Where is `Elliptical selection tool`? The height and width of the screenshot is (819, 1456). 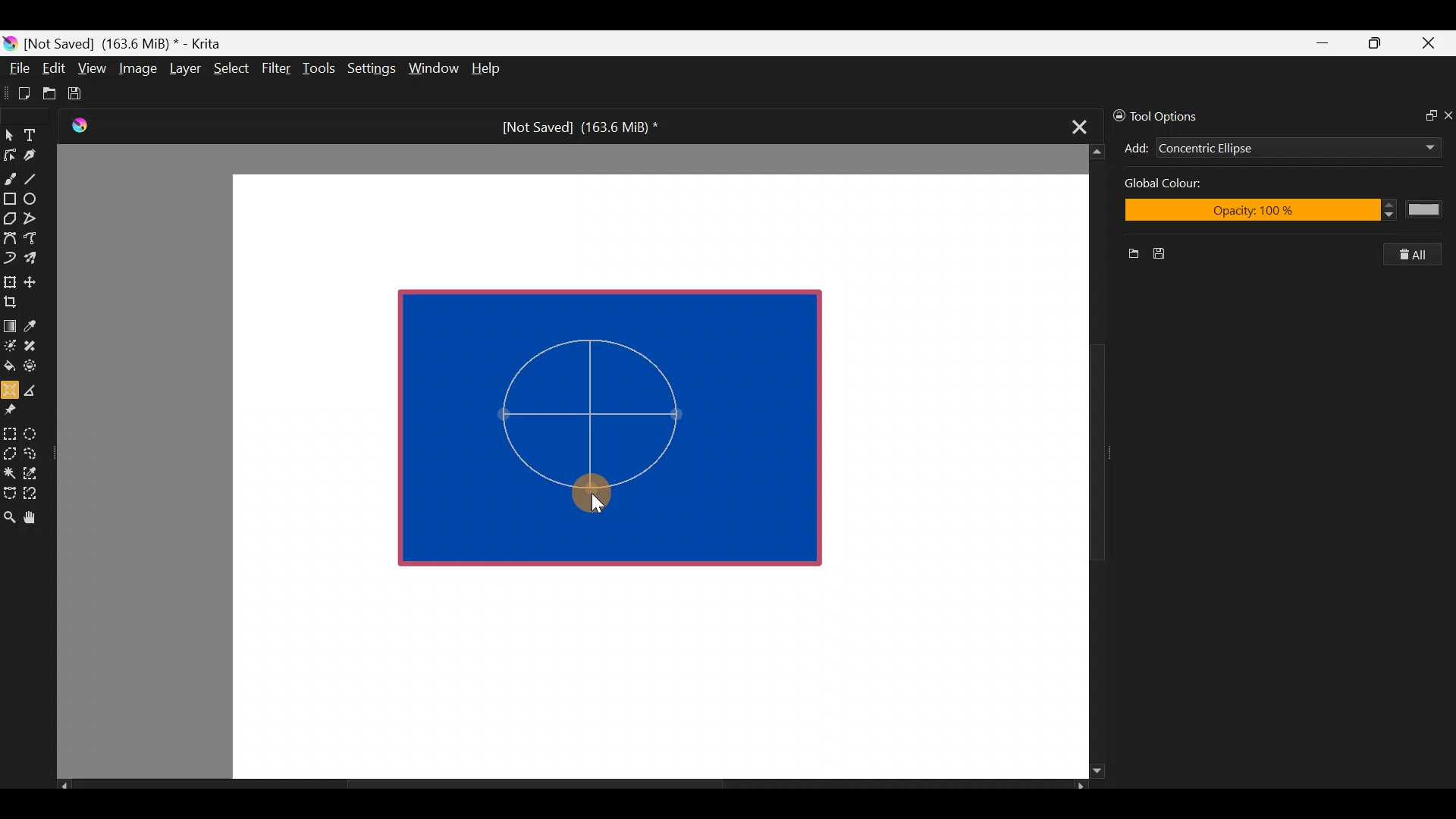
Elliptical selection tool is located at coordinates (36, 431).